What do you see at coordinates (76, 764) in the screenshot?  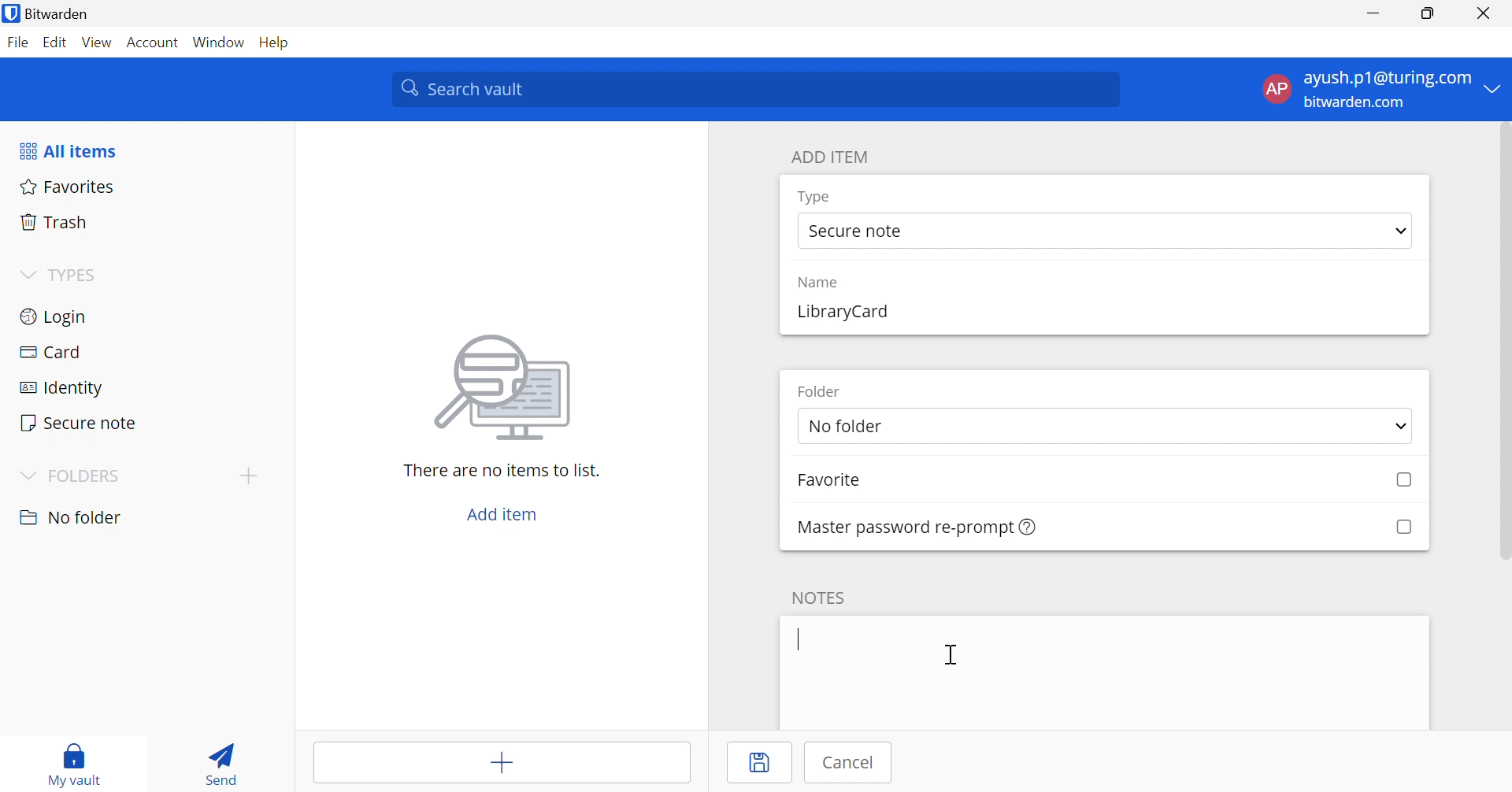 I see `My vault` at bounding box center [76, 764].